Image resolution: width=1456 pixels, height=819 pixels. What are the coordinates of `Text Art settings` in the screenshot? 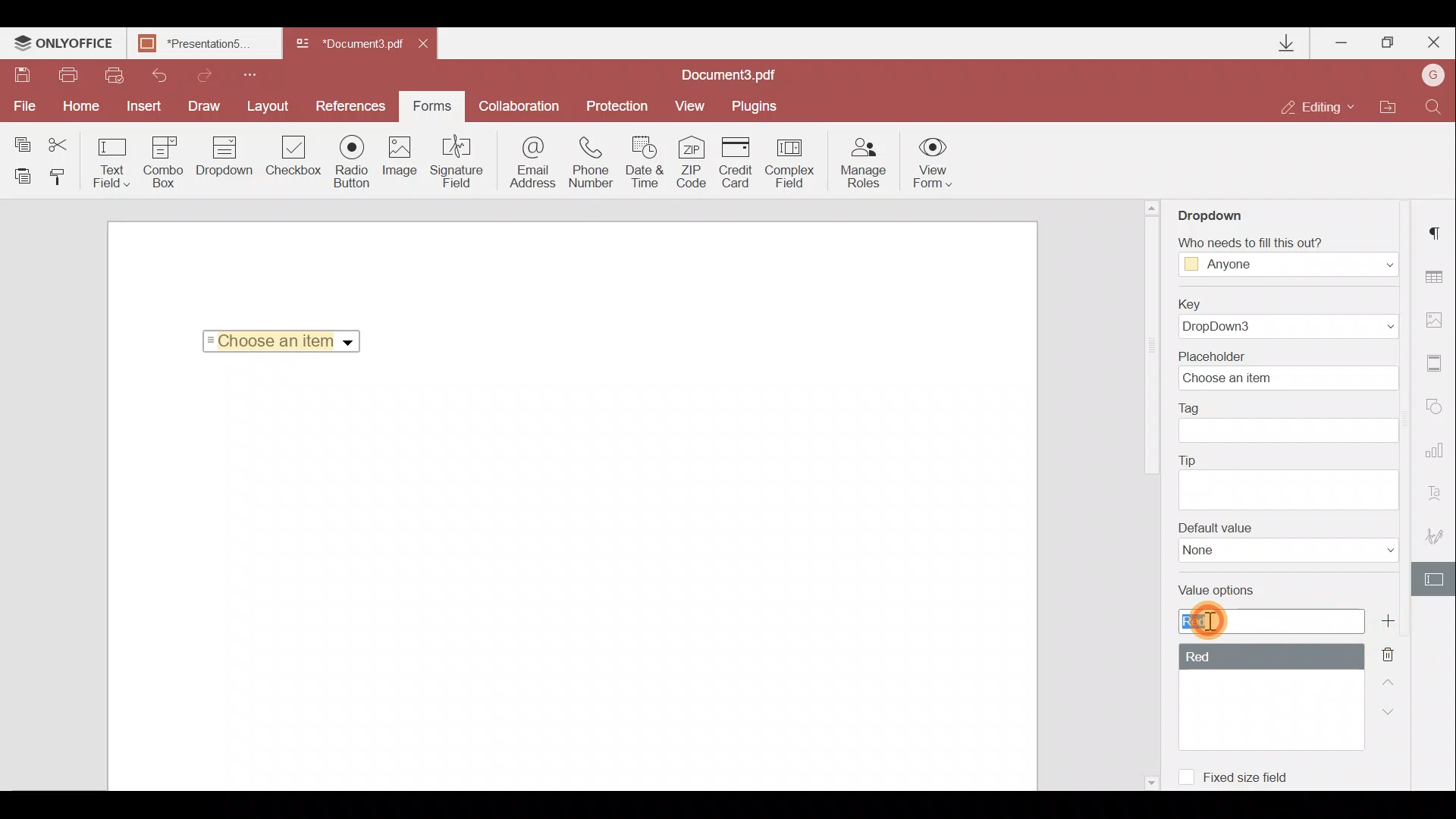 It's located at (1439, 491).